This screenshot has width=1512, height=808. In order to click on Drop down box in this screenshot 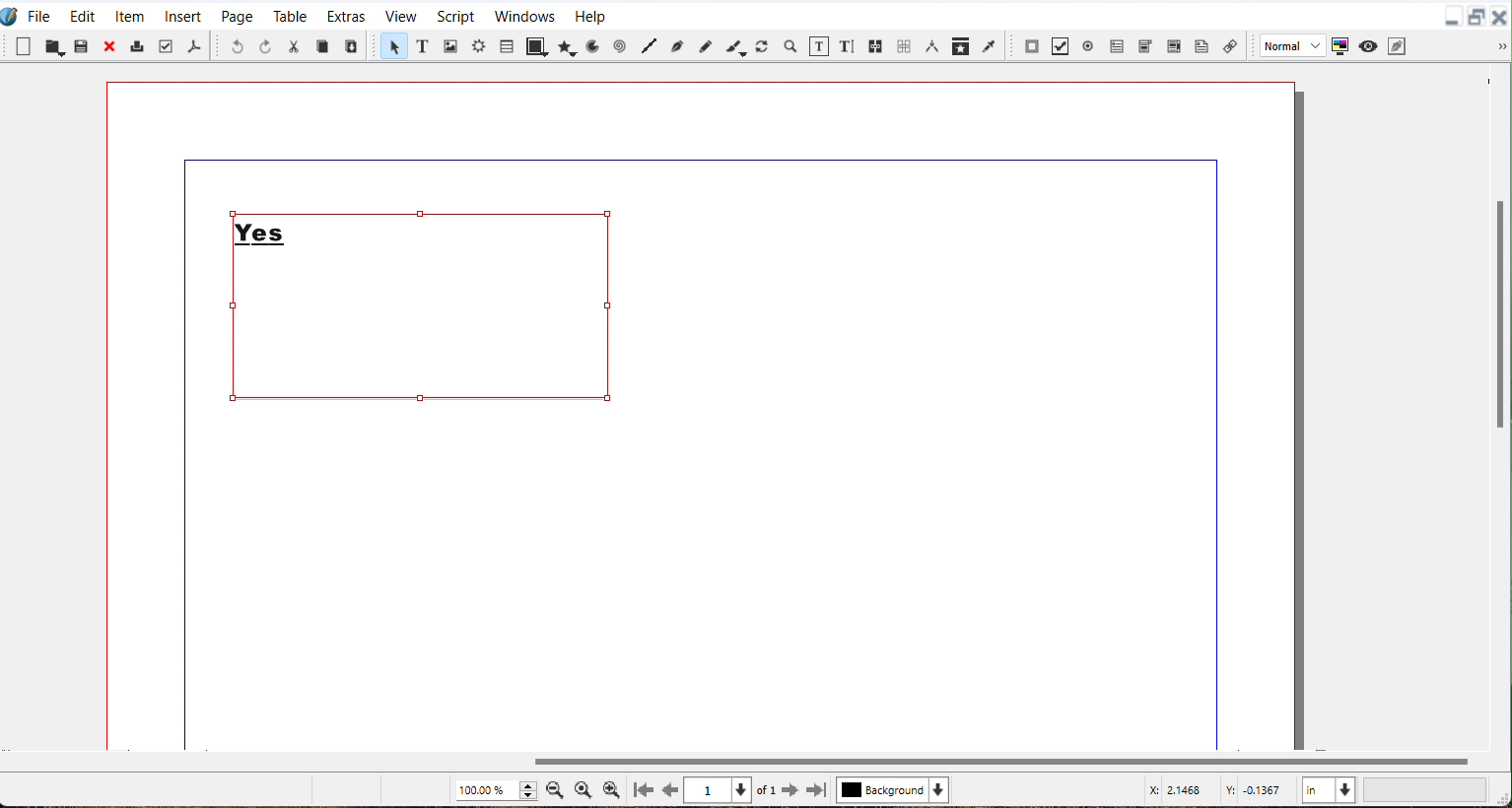, I will do `click(1502, 47)`.